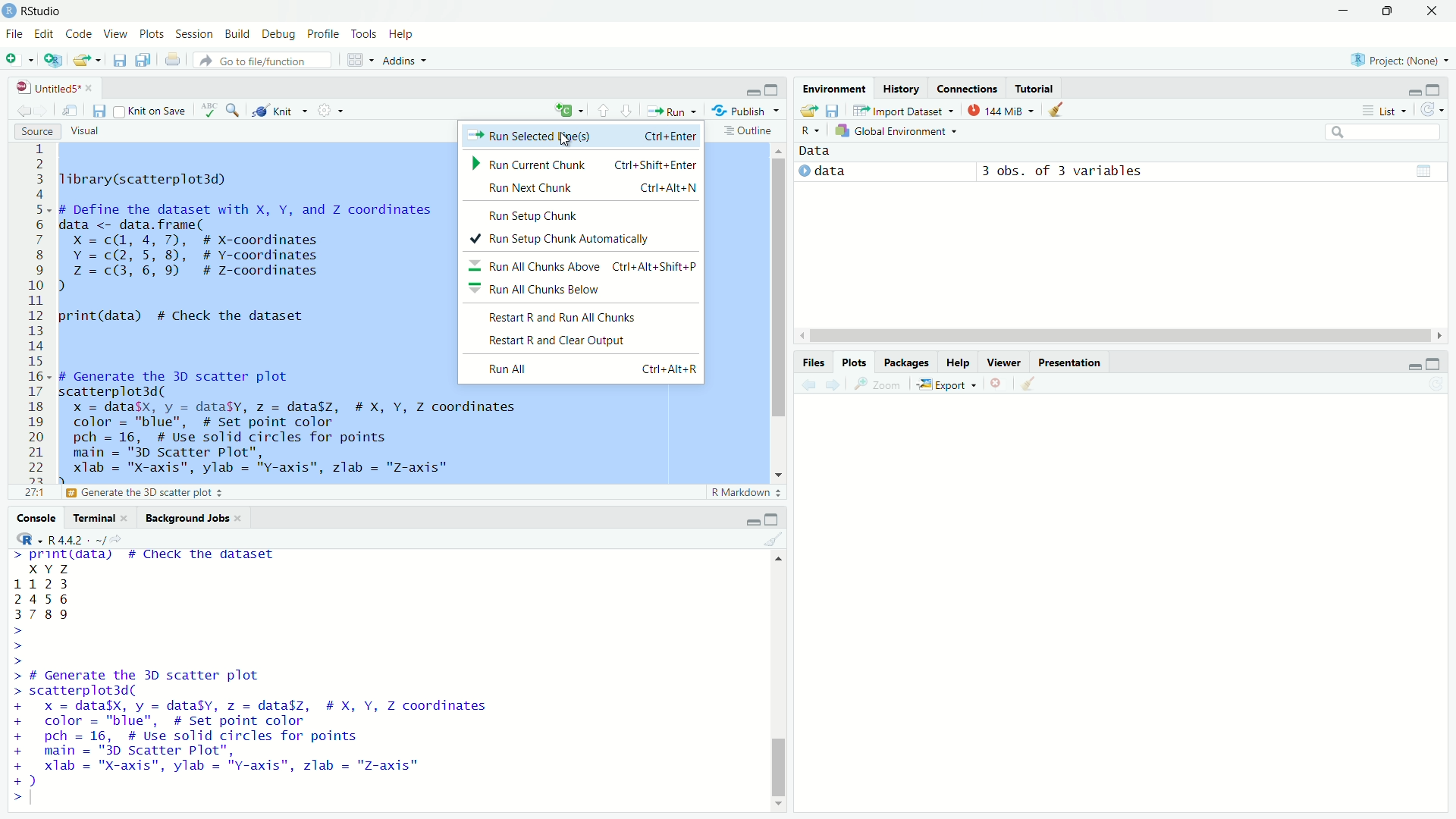 The image size is (1456, 819). I want to click on empty plot area, so click(1133, 605).